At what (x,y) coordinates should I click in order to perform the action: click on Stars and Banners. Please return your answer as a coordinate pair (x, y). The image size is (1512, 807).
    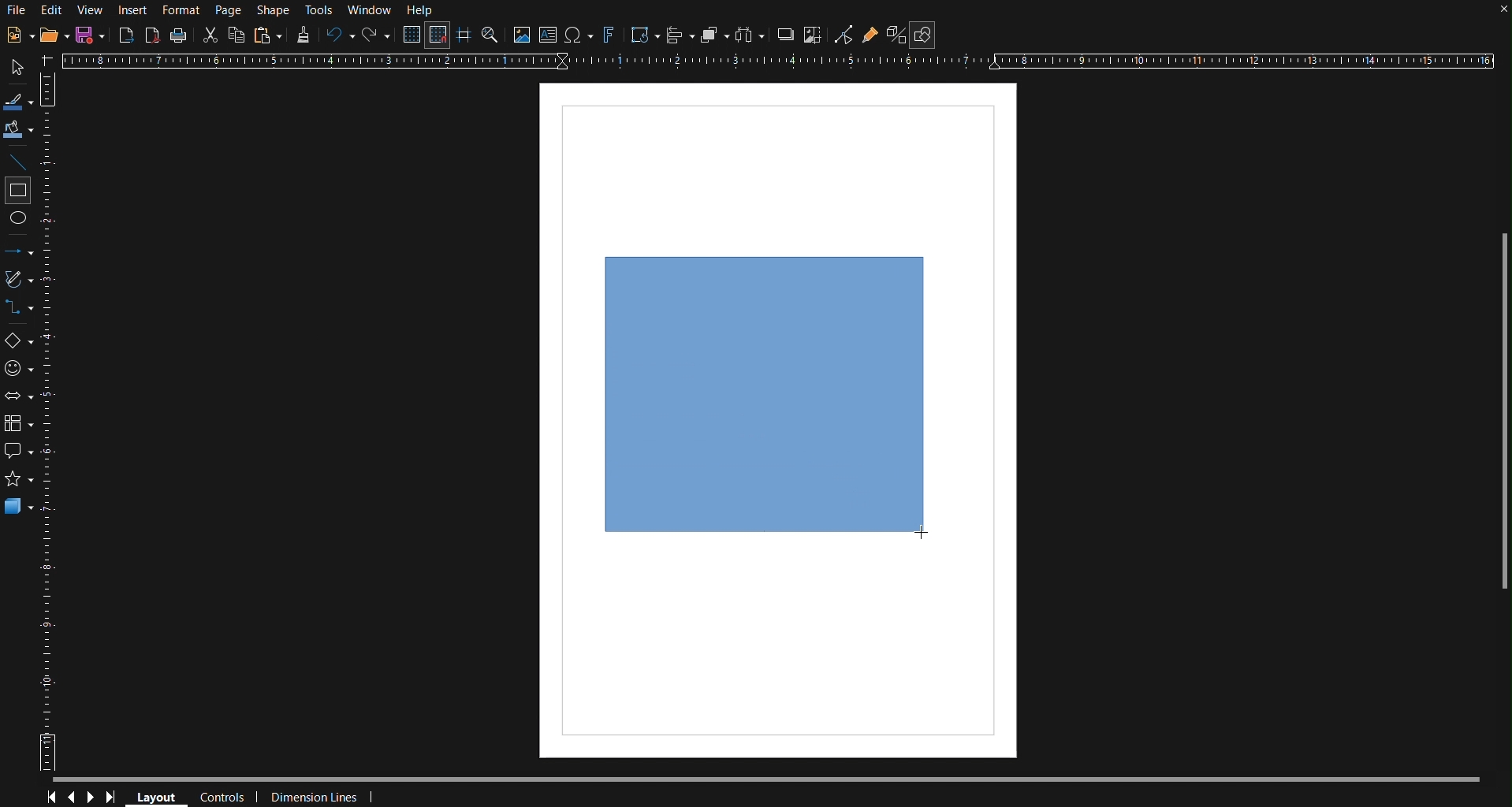
    Looking at the image, I should click on (20, 478).